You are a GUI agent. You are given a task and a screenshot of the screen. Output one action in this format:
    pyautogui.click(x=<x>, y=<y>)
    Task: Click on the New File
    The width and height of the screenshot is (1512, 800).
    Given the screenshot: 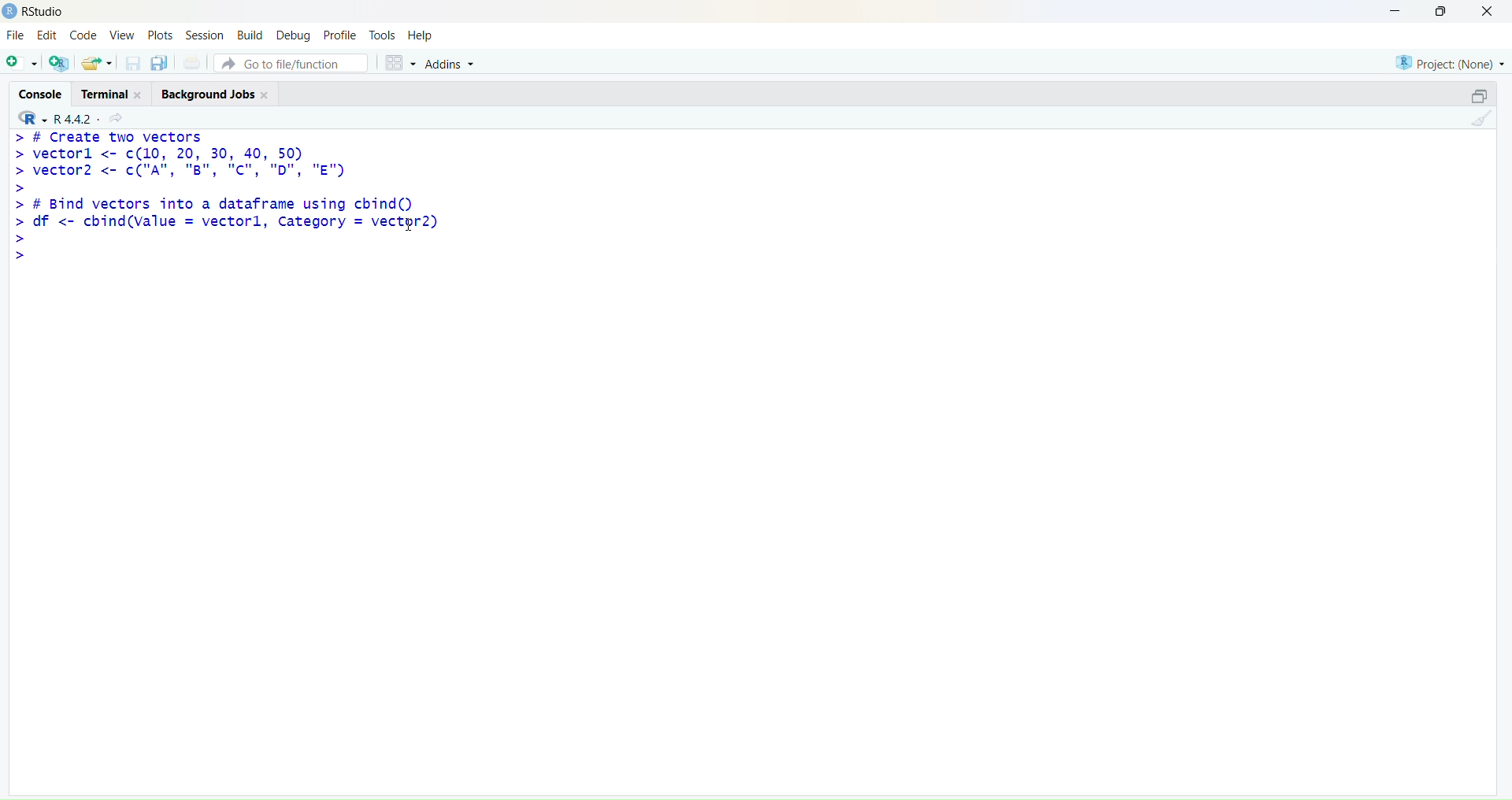 What is the action you would take?
    pyautogui.click(x=21, y=64)
    